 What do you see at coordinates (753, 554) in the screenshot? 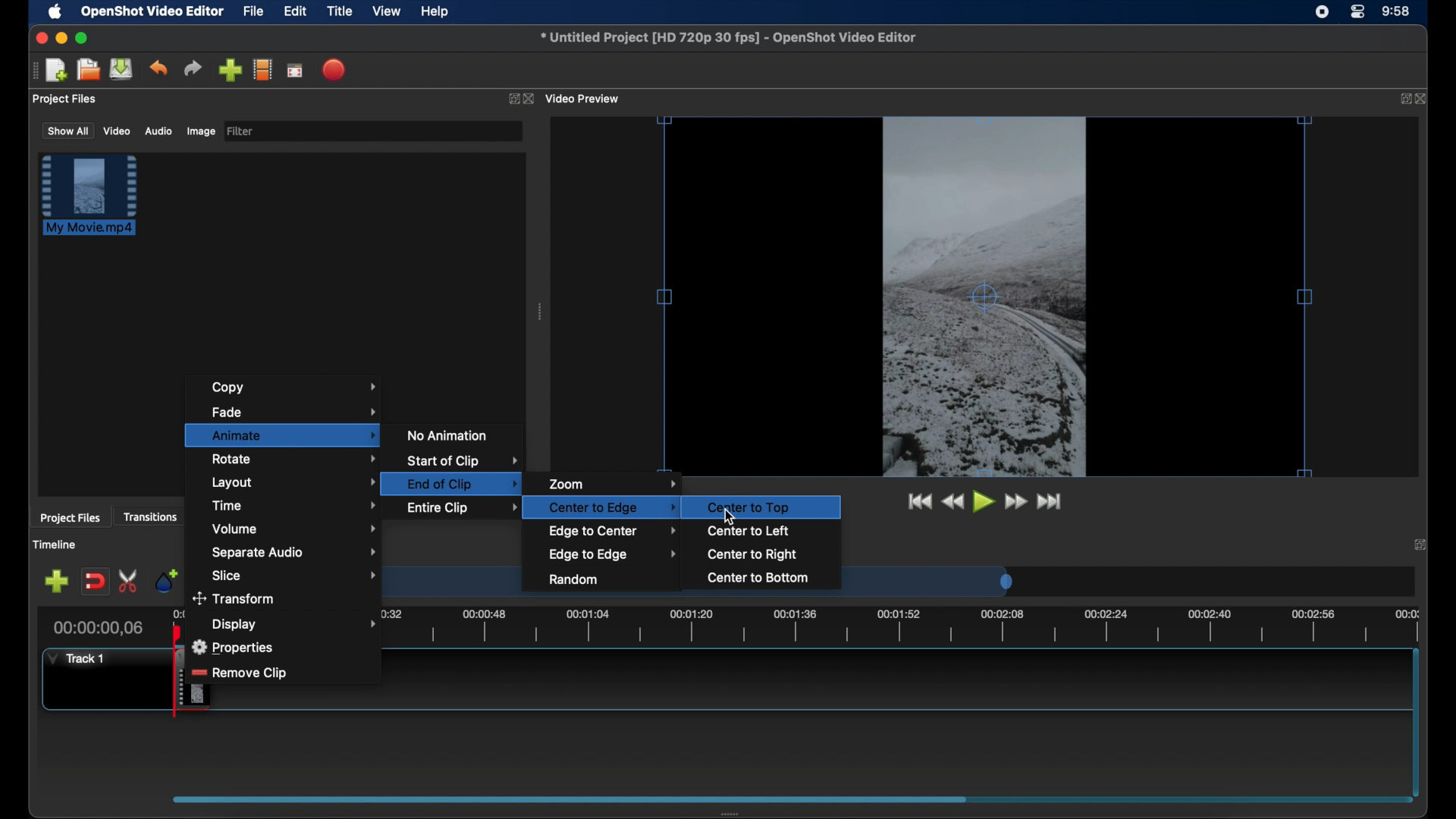
I see `center to right` at bounding box center [753, 554].